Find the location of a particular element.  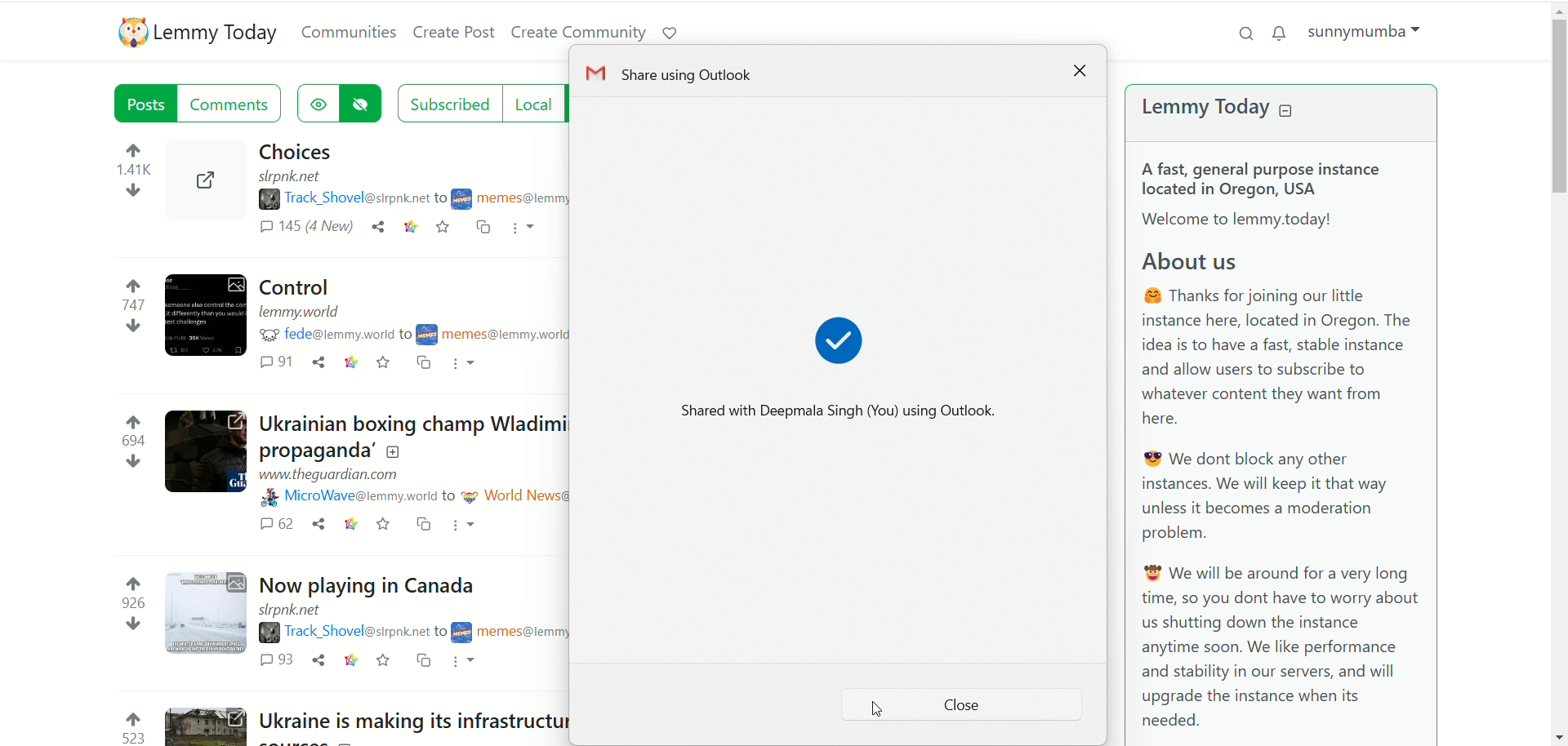

save is located at coordinates (445, 229).